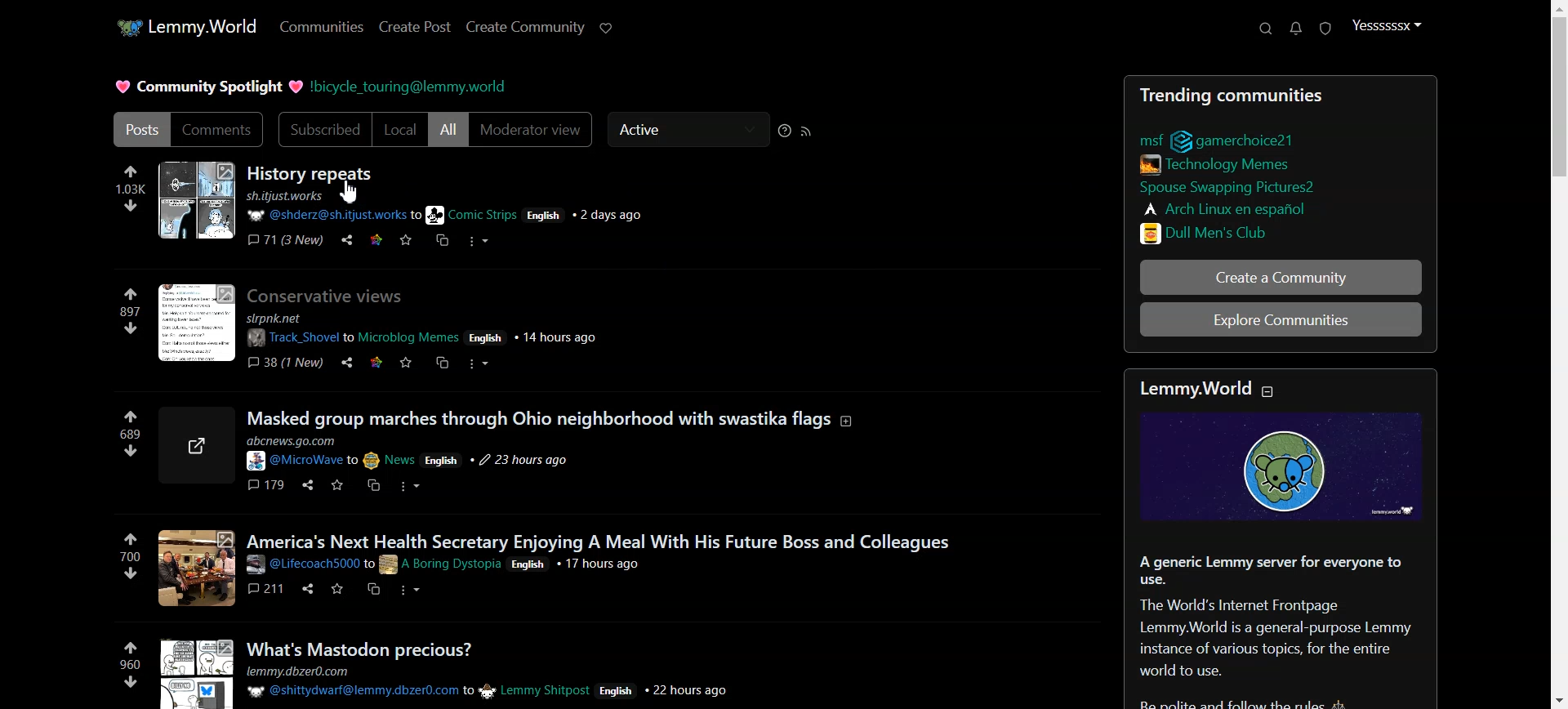  What do you see at coordinates (1555, 354) in the screenshot?
I see `Vertical scroll bar` at bounding box center [1555, 354].